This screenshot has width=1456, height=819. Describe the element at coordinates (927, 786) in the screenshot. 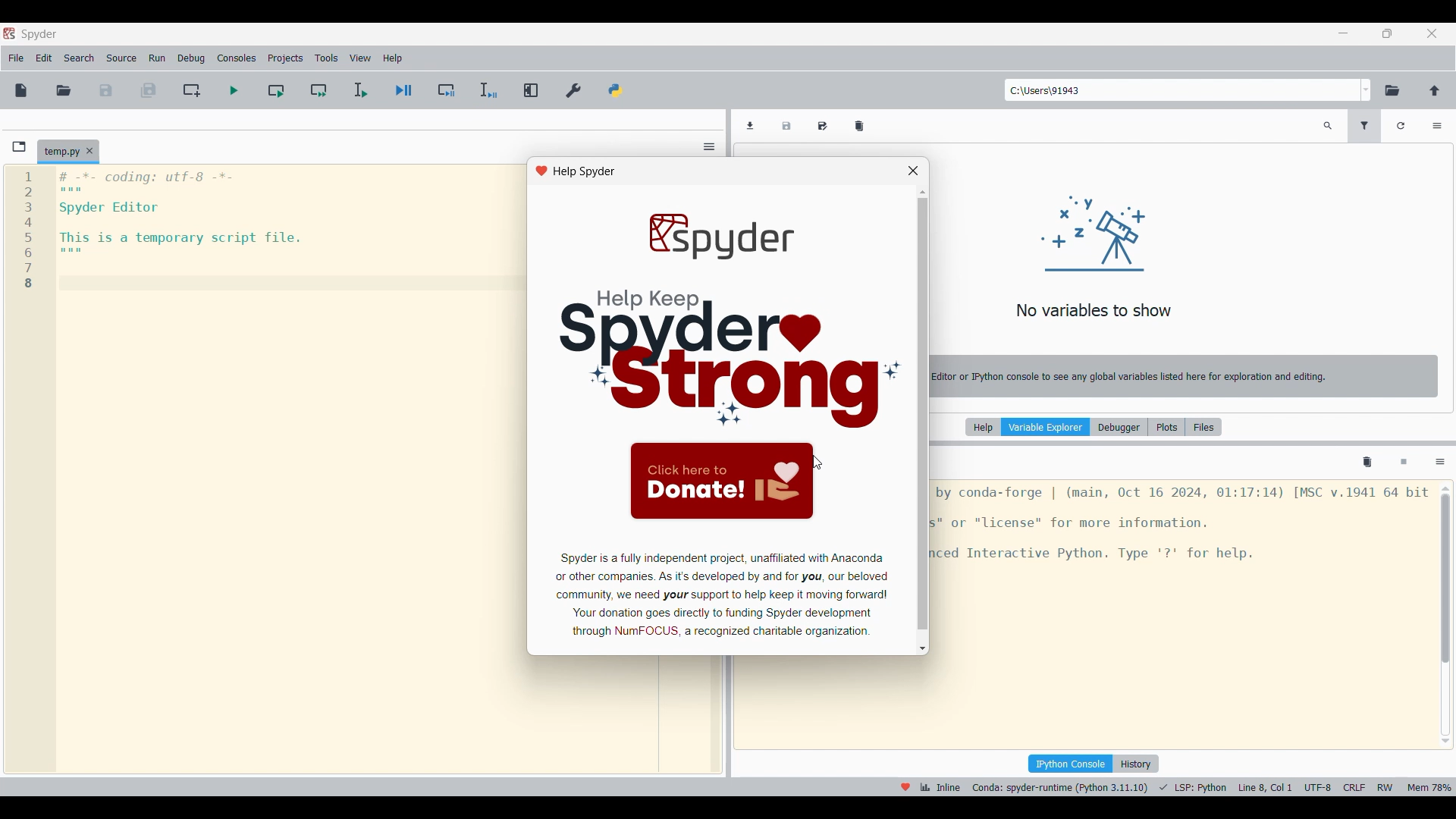

I see `inline` at that location.